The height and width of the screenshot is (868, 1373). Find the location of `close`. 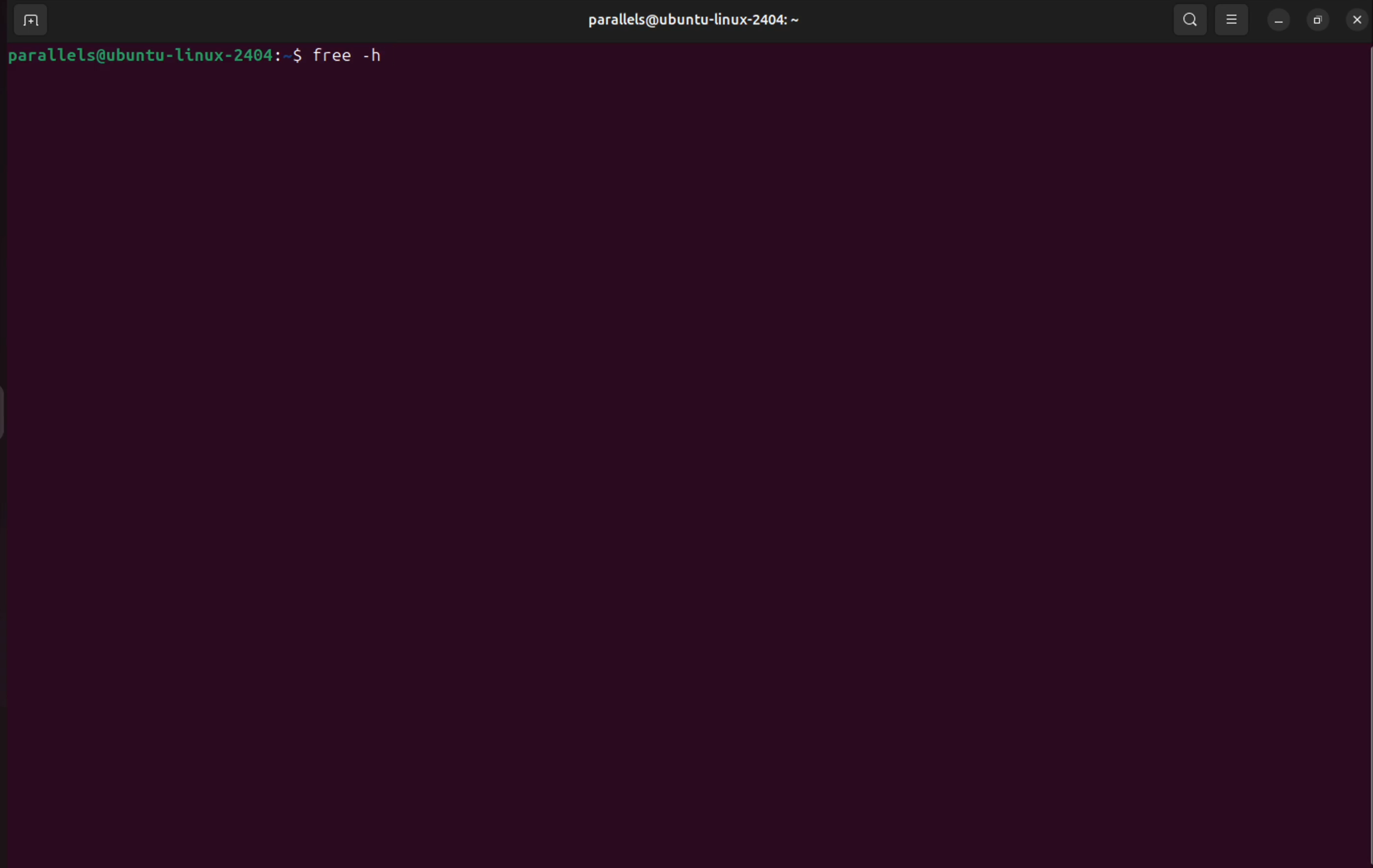

close is located at coordinates (1356, 20).